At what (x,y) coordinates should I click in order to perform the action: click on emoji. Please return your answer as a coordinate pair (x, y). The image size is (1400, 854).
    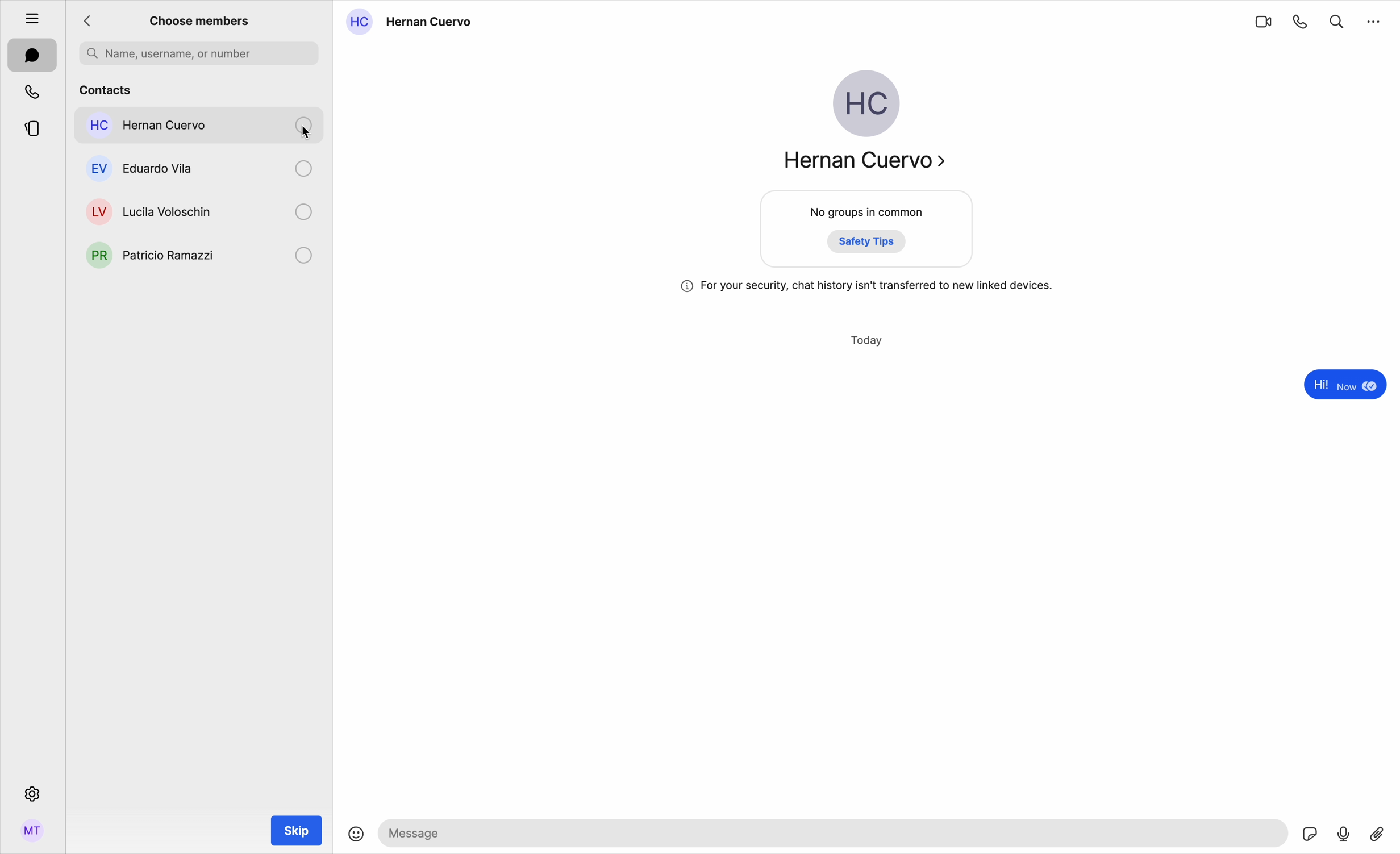
    Looking at the image, I should click on (356, 835).